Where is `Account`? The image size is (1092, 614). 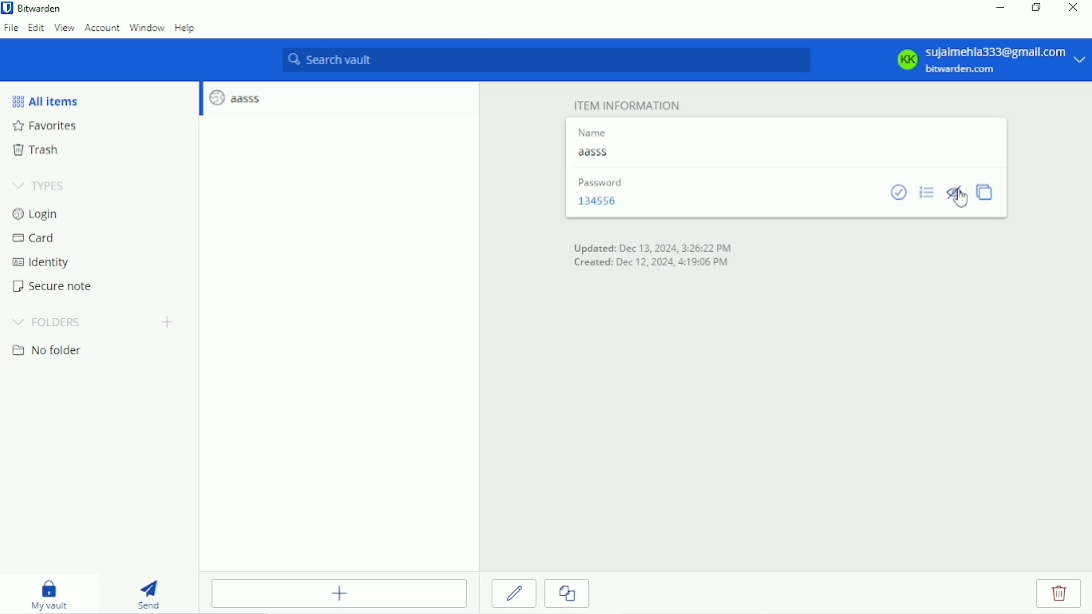
Account is located at coordinates (102, 29).